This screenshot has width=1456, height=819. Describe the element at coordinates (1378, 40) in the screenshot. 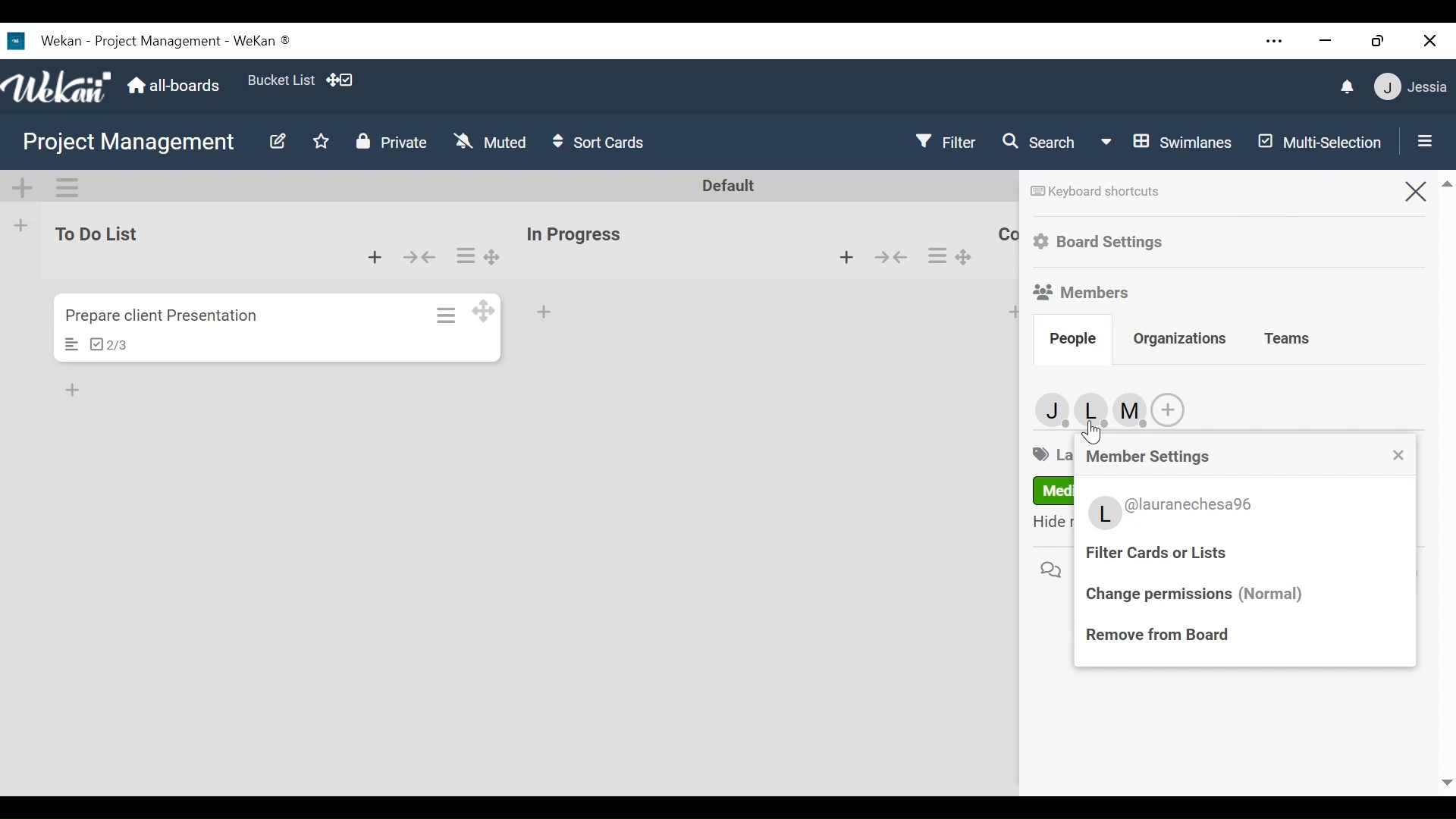

I see `Restore` at that location.